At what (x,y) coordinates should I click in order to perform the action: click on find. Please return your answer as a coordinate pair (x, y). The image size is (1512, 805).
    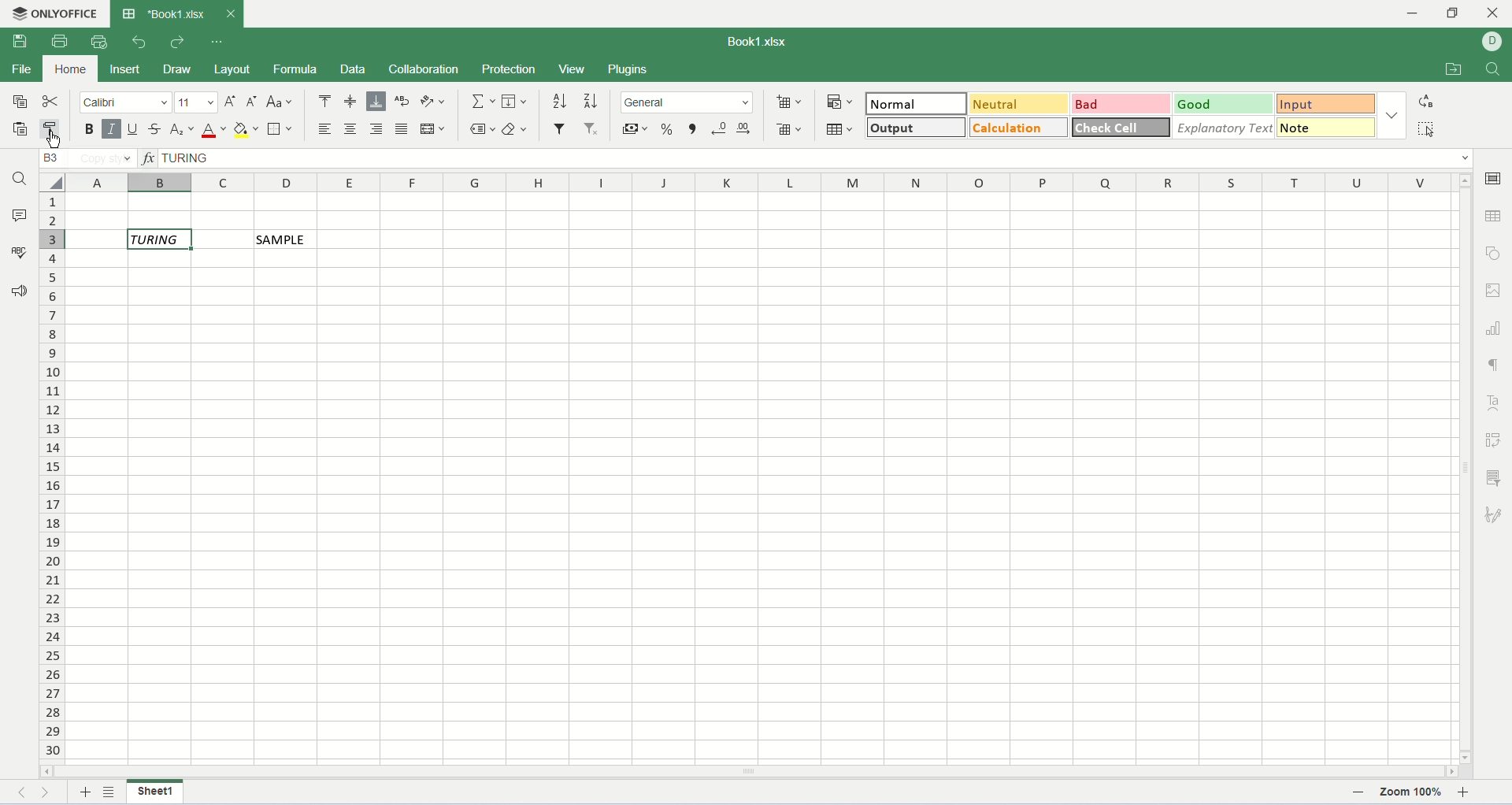
    Looking at the image, I should click on (1493, 69).